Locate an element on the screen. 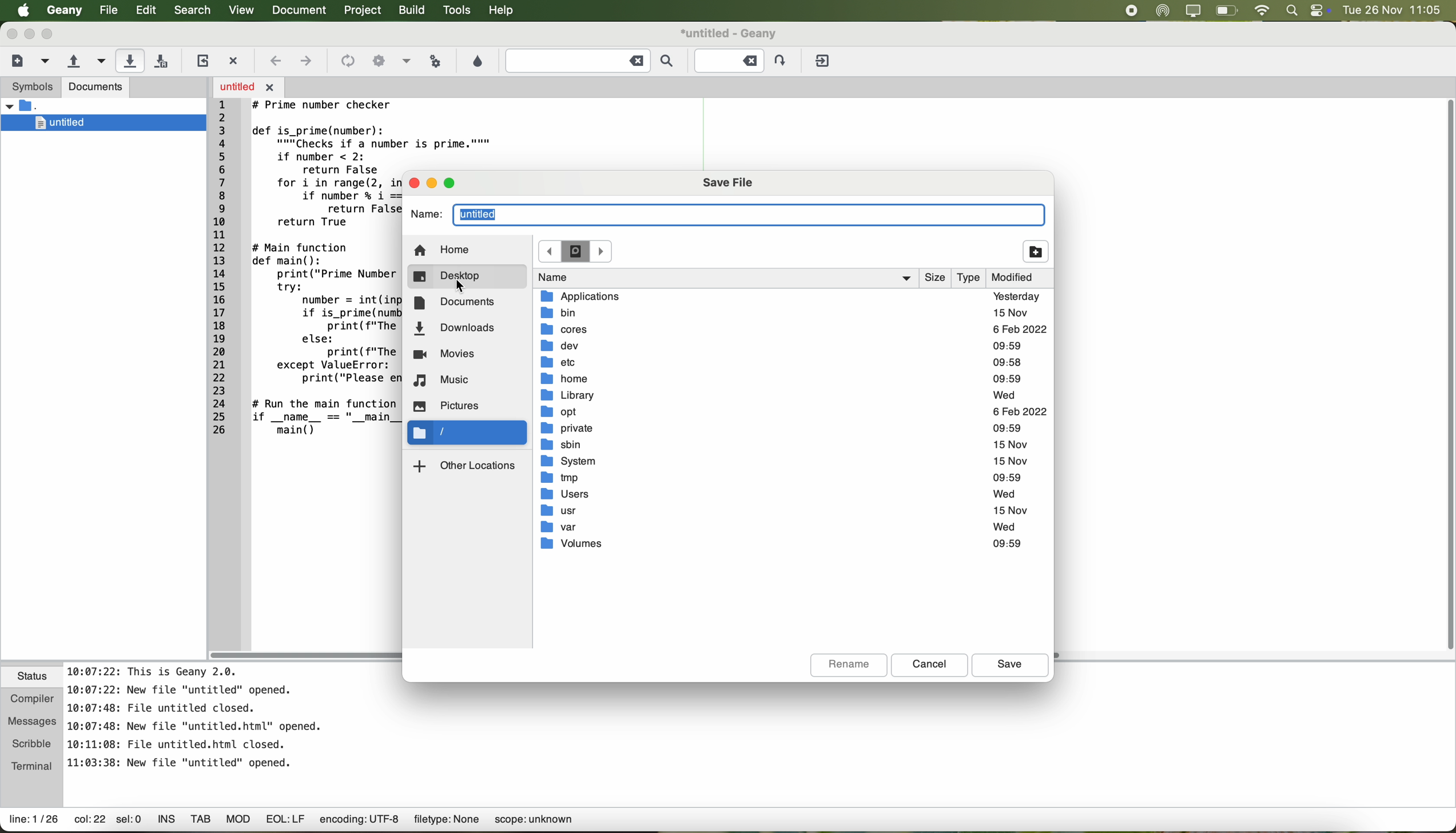  symbols is located at coordinates (30, 88).